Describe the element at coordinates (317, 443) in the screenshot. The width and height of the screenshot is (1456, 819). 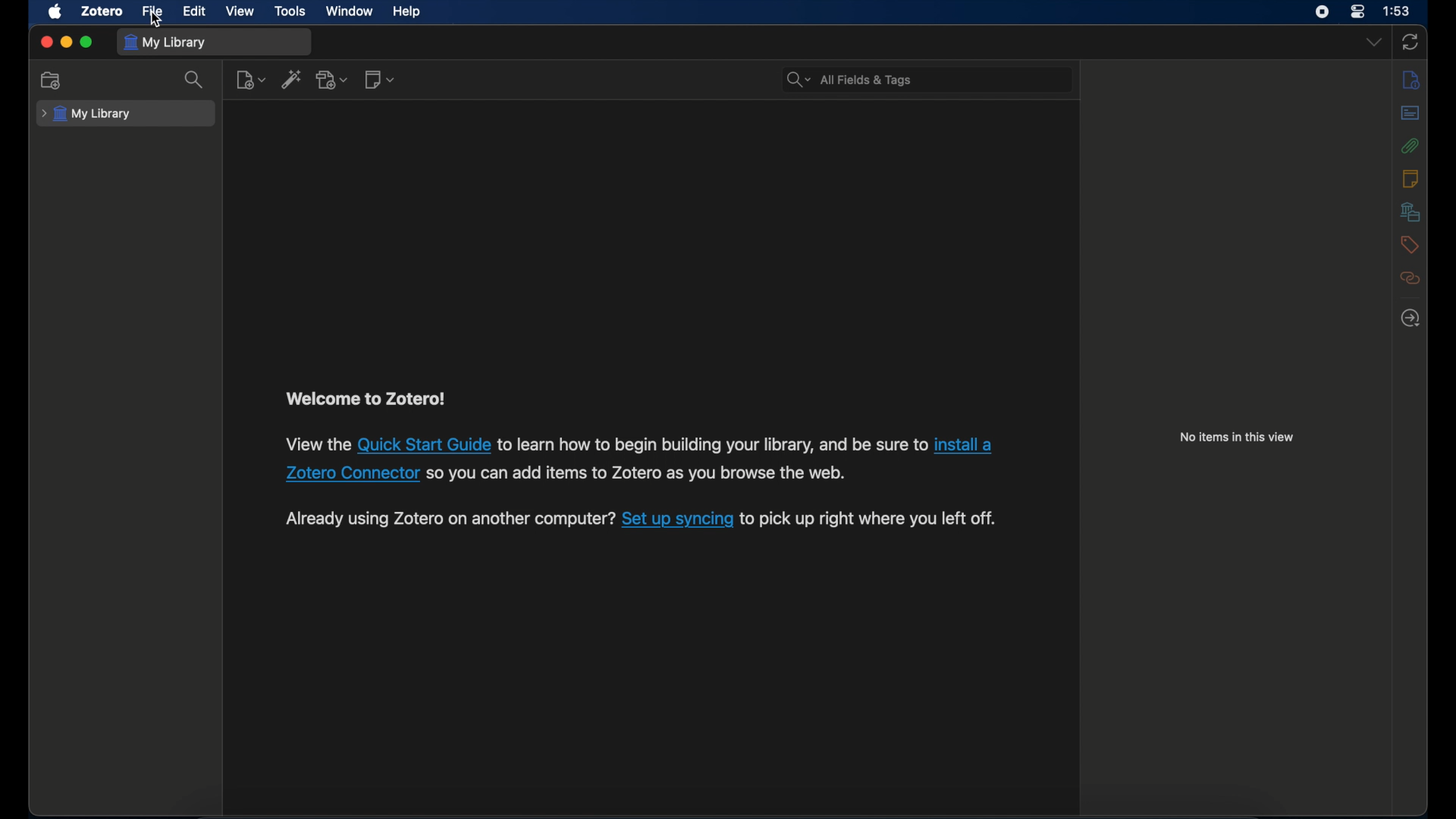
I see `View the` at that location.